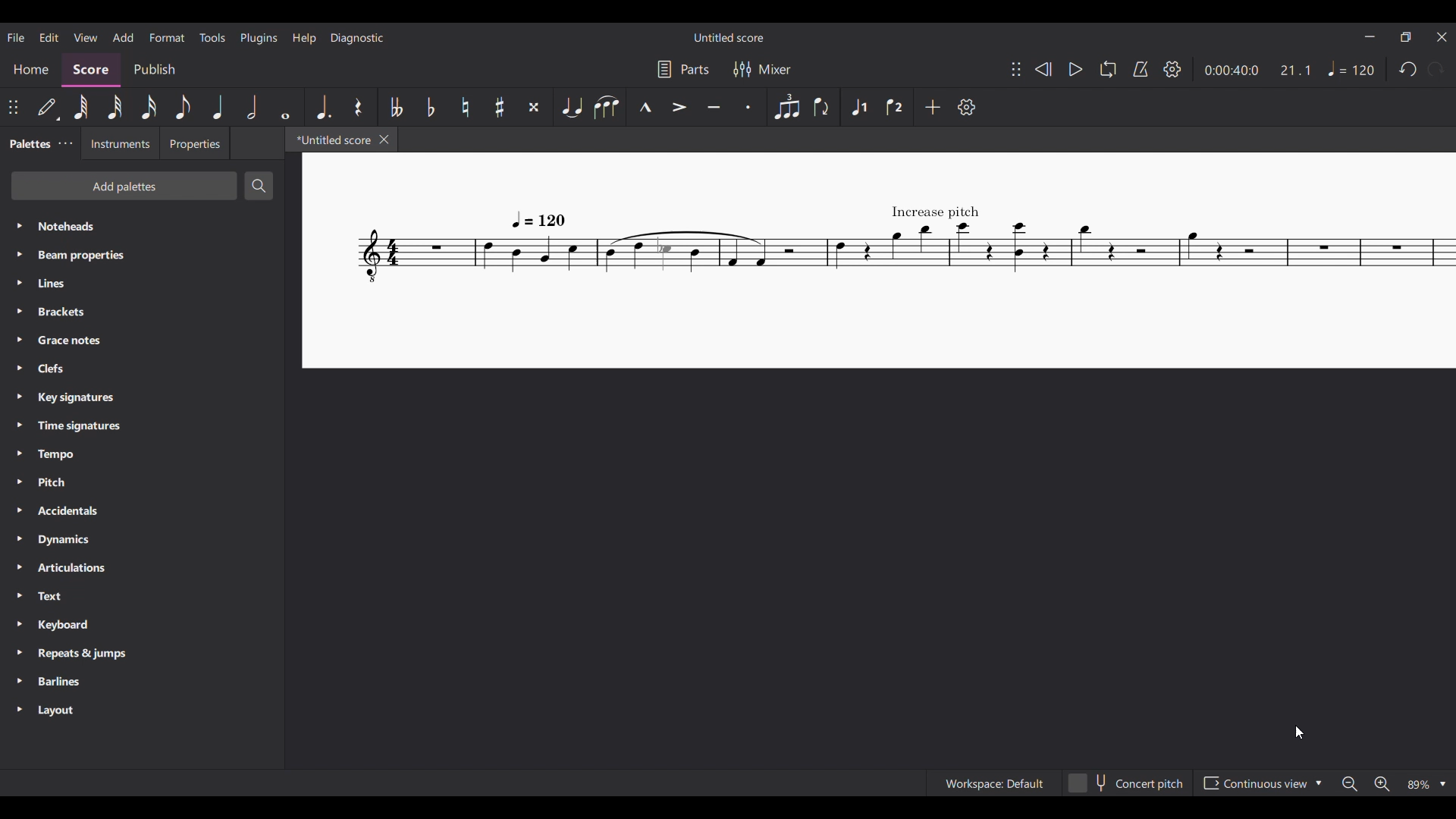 Image resolution: width=1456 pixels, height=819 pixels. What do you see at coordinates (714, 107) in the screenshot?
I see `Tenuto` at bounding box center [714, 107].